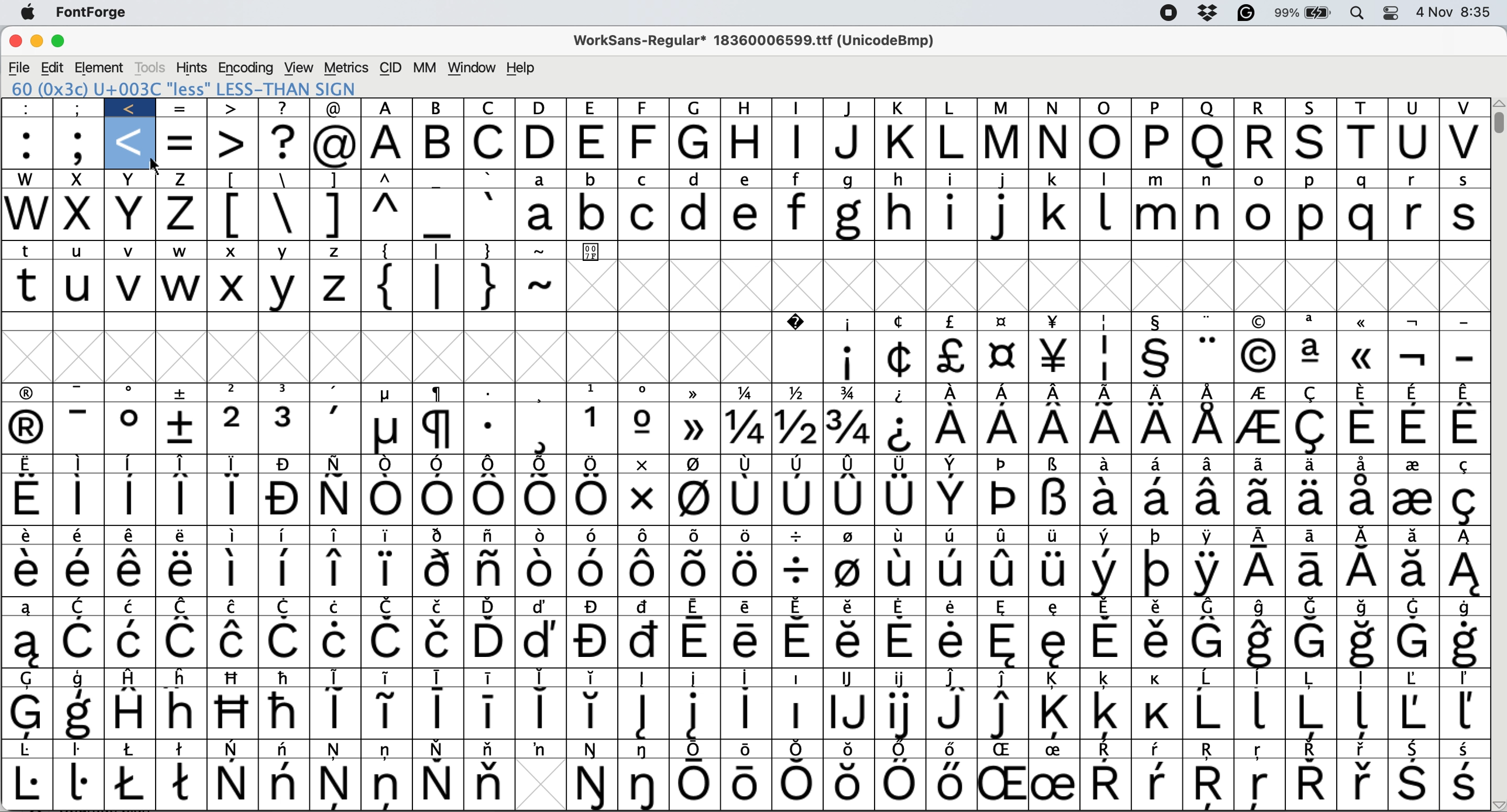 This screenshot has width=1507, height=812. Describe the element at coordinates (32, 535) in the screenshot. I see `Symbol` at that location.